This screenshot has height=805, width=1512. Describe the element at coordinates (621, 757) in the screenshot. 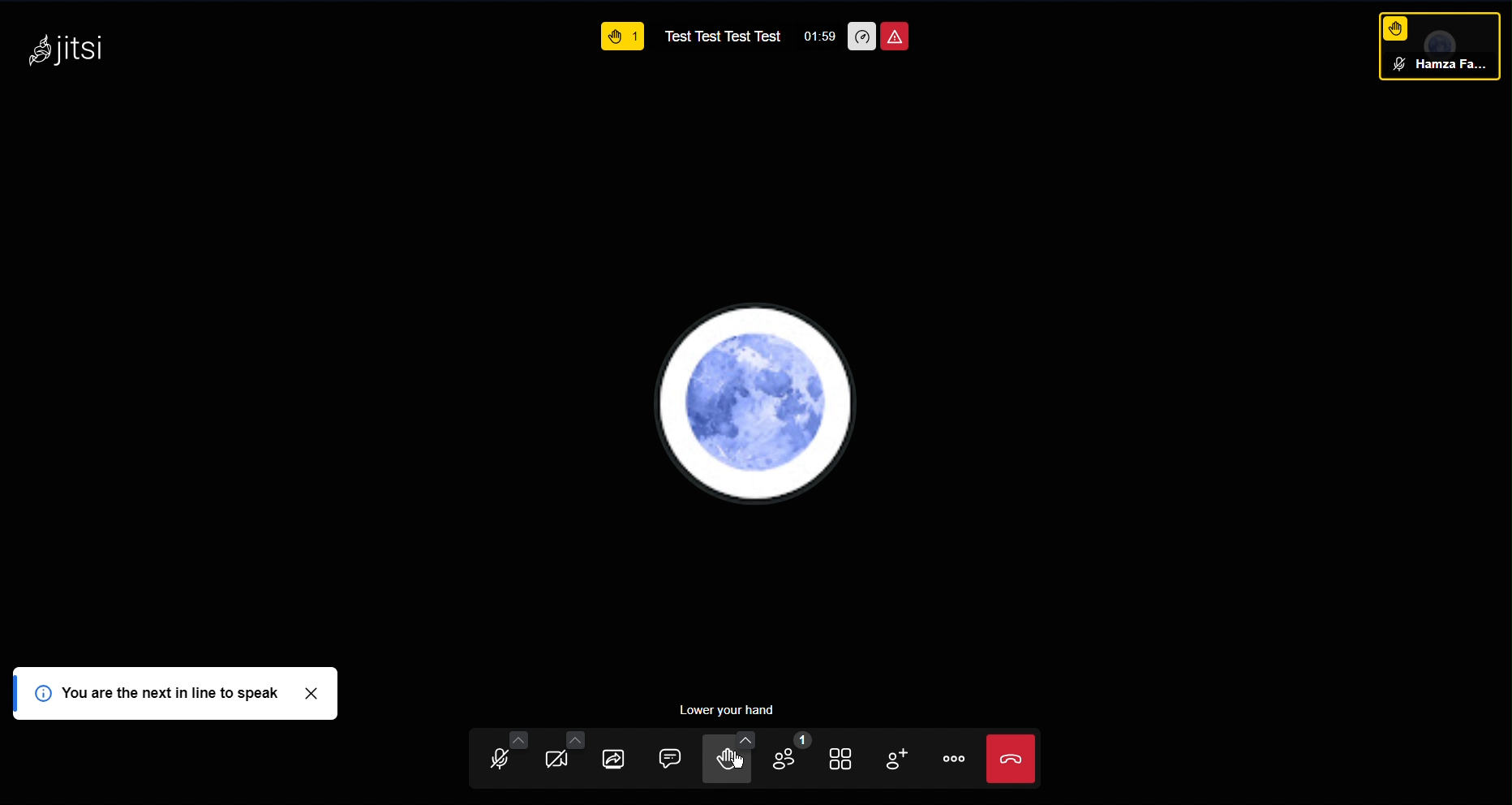

I see `Share Screen` at that location.